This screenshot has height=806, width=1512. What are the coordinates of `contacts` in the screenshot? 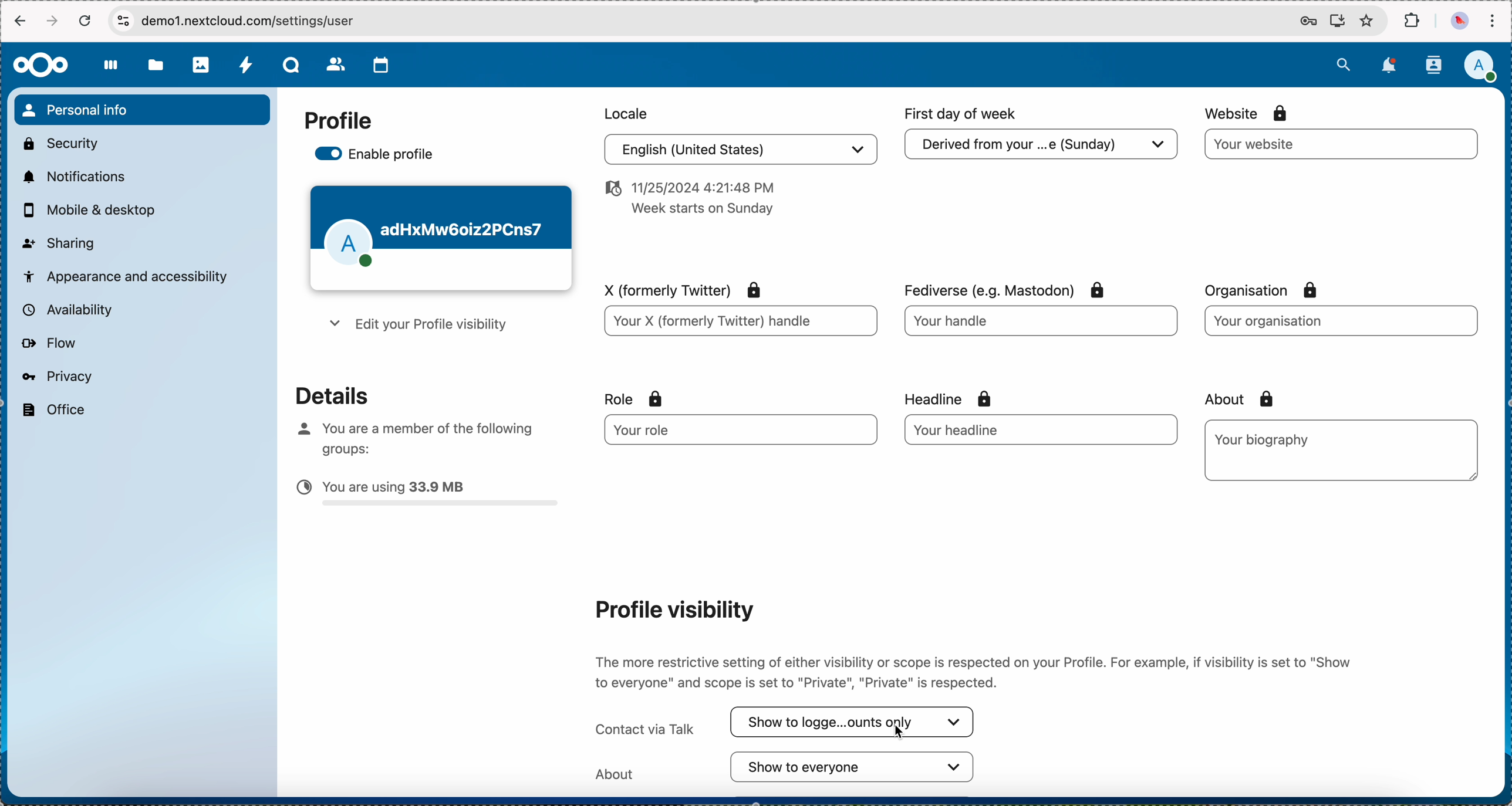 It's located at (336, 66).